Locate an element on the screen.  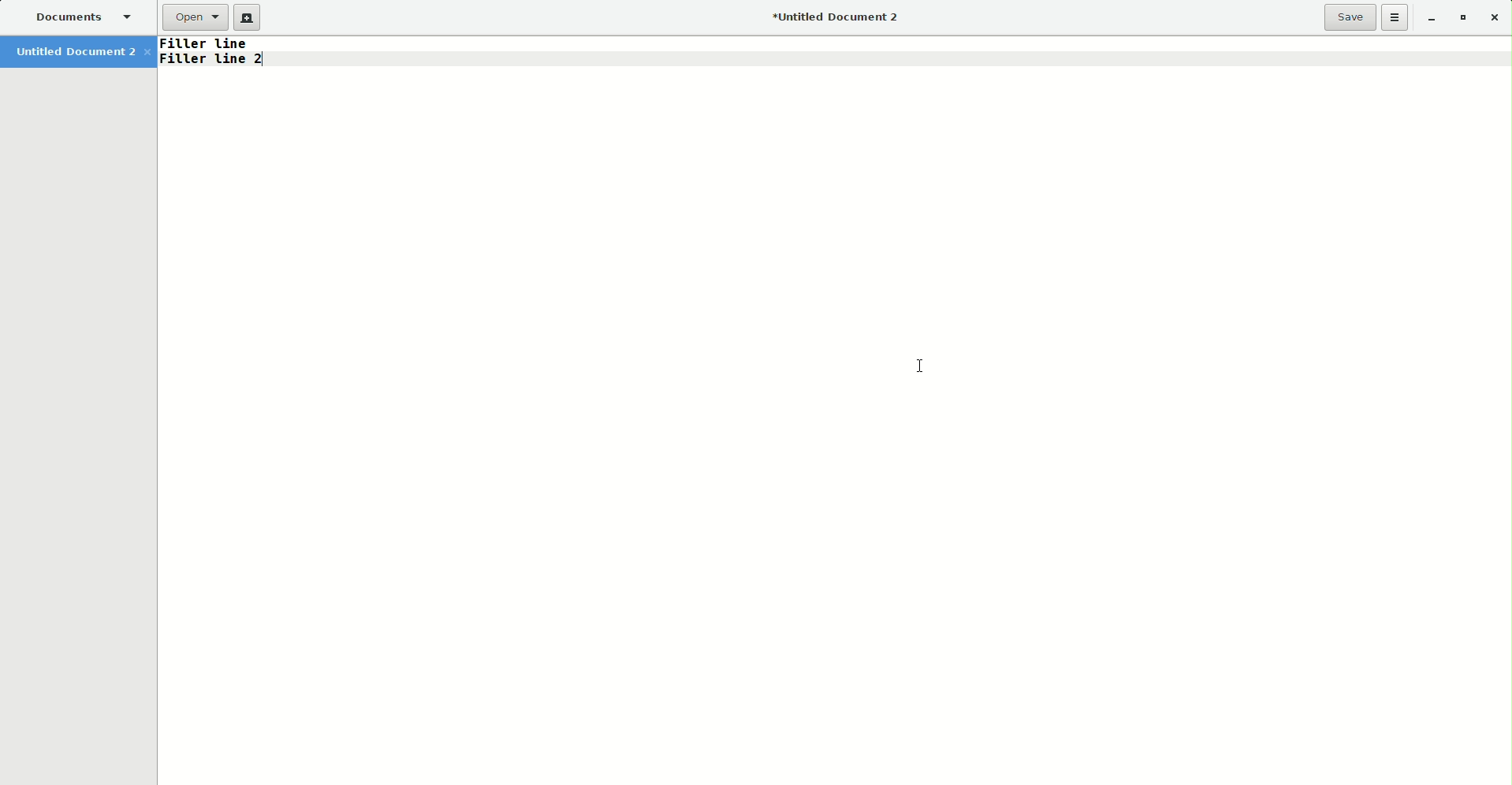
Close is located at coordinates (1499, 18).